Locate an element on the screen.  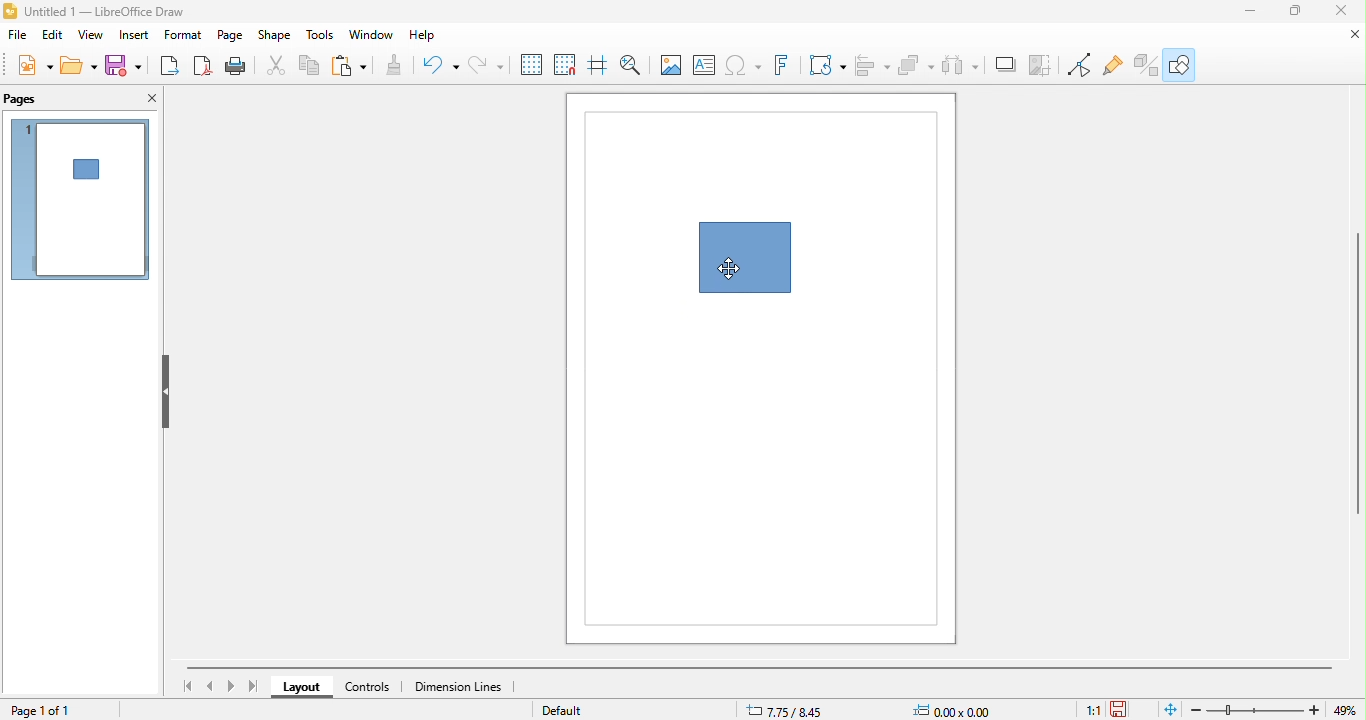
transformation is located at coordinates (827, 65).